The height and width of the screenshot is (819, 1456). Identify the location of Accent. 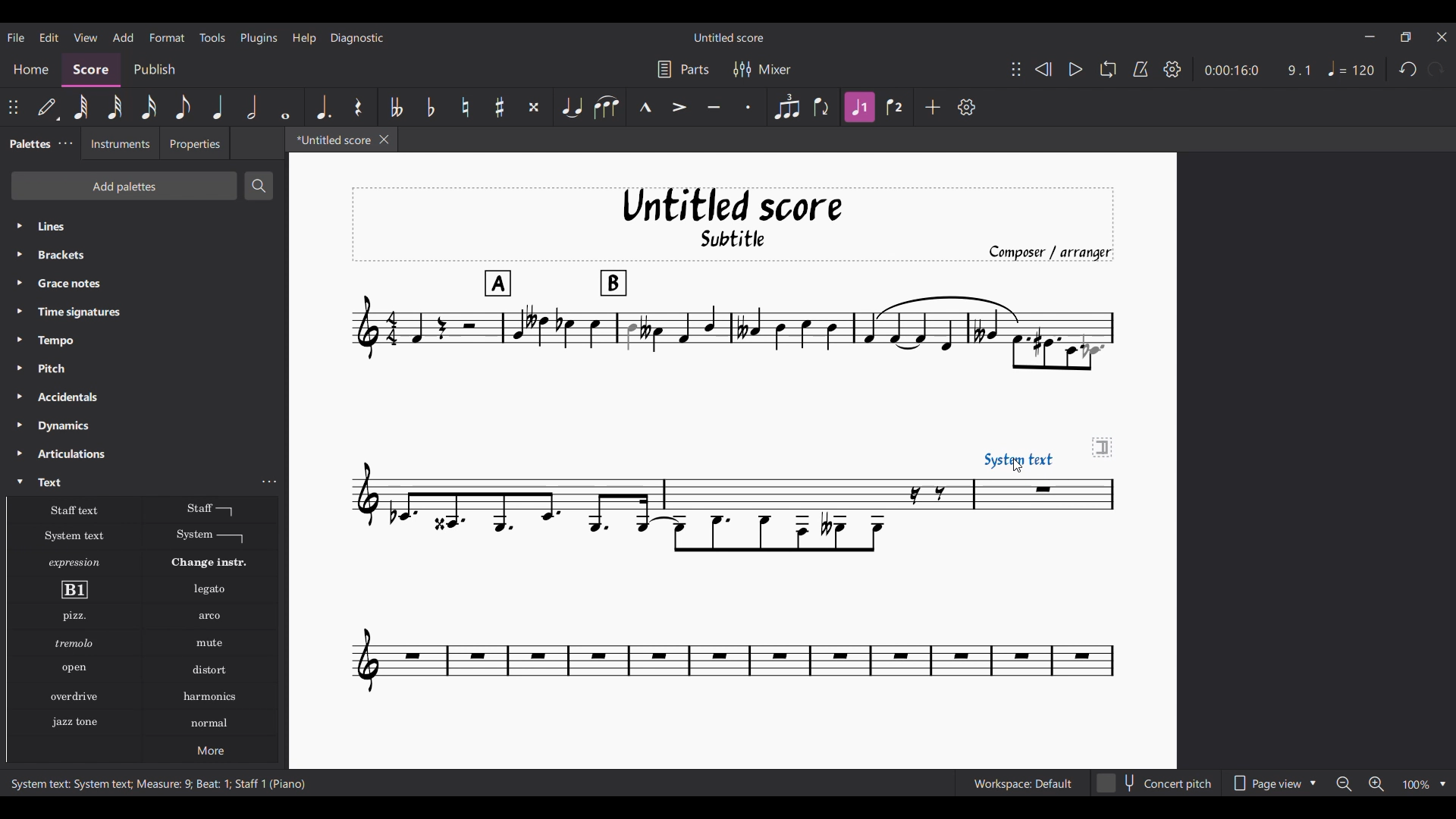
(679, 107).